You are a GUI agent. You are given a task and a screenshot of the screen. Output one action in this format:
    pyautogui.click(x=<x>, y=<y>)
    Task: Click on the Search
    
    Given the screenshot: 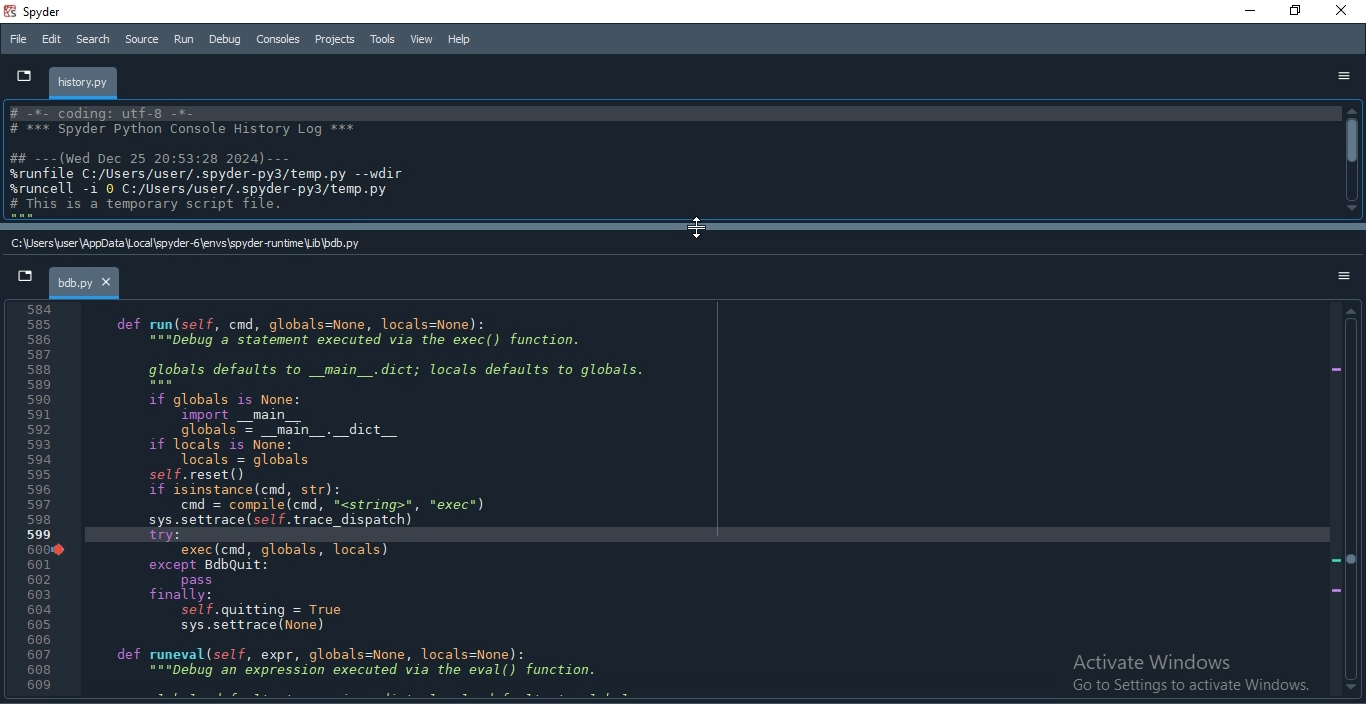 What is the action you would take?
    pyautogui.click(x=92, y=40)
    